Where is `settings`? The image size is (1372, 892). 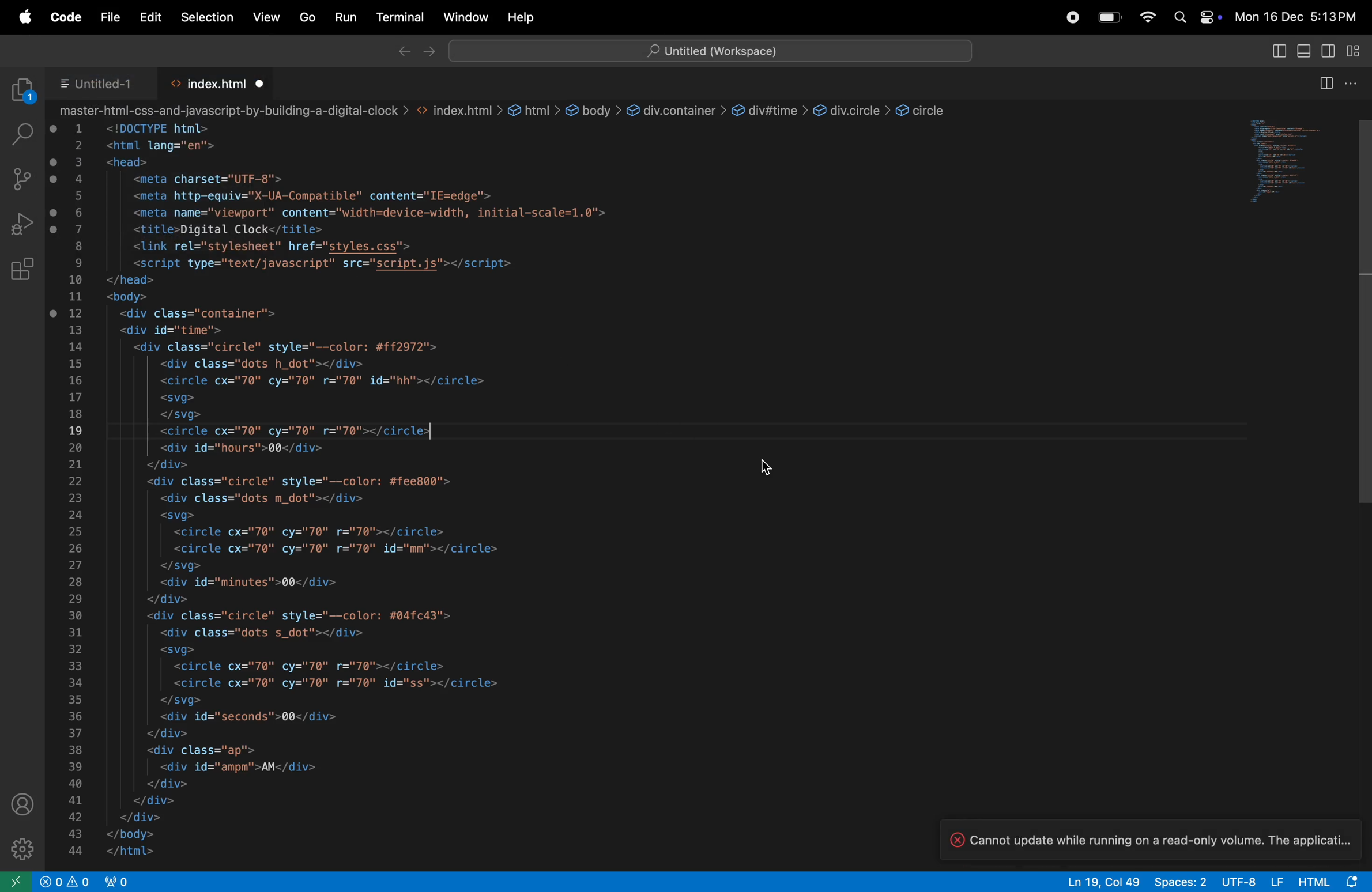 settings is located at coordinates (22, 846).